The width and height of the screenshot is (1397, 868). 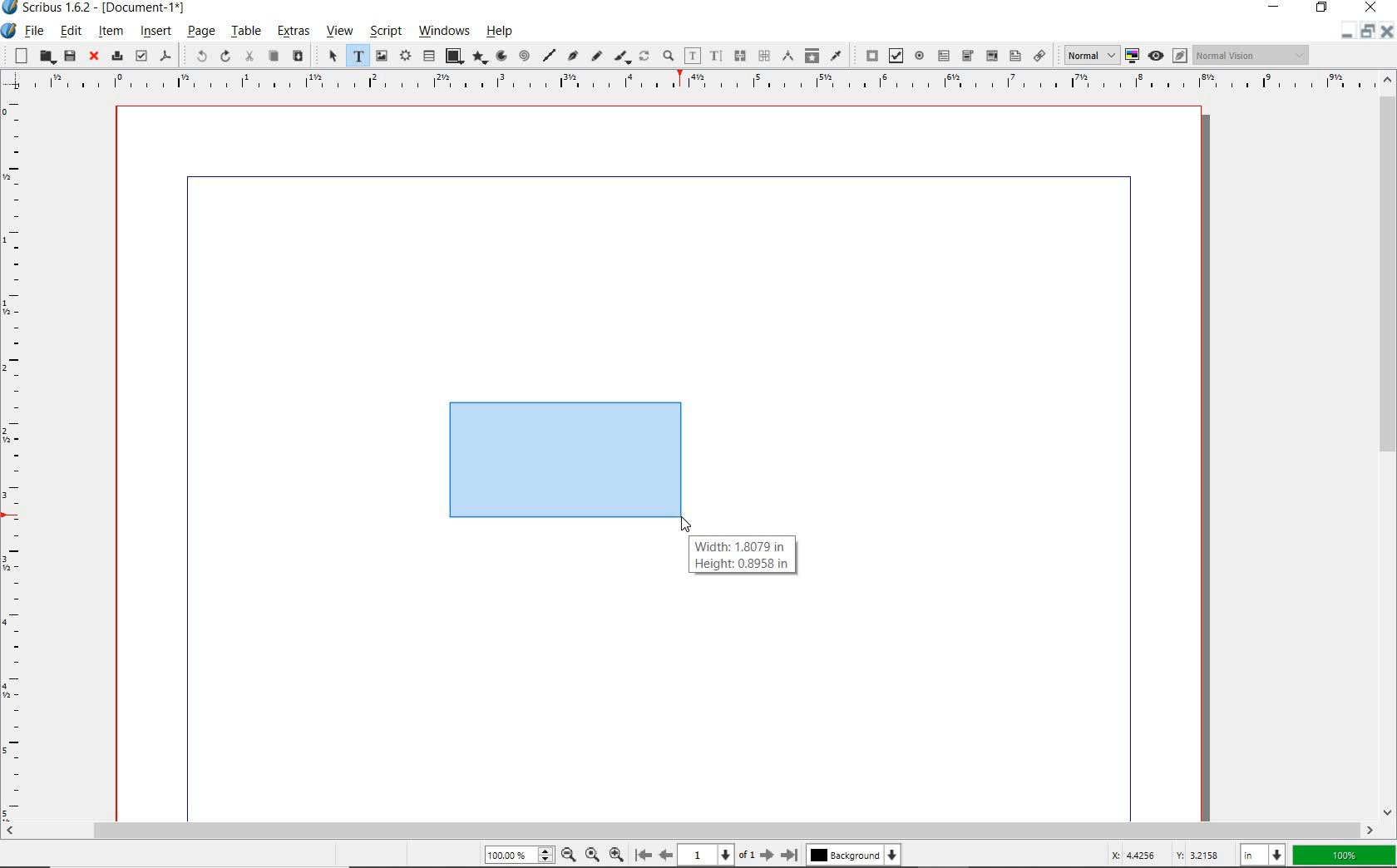 I want to click on cut, so click(x=249, y=56).